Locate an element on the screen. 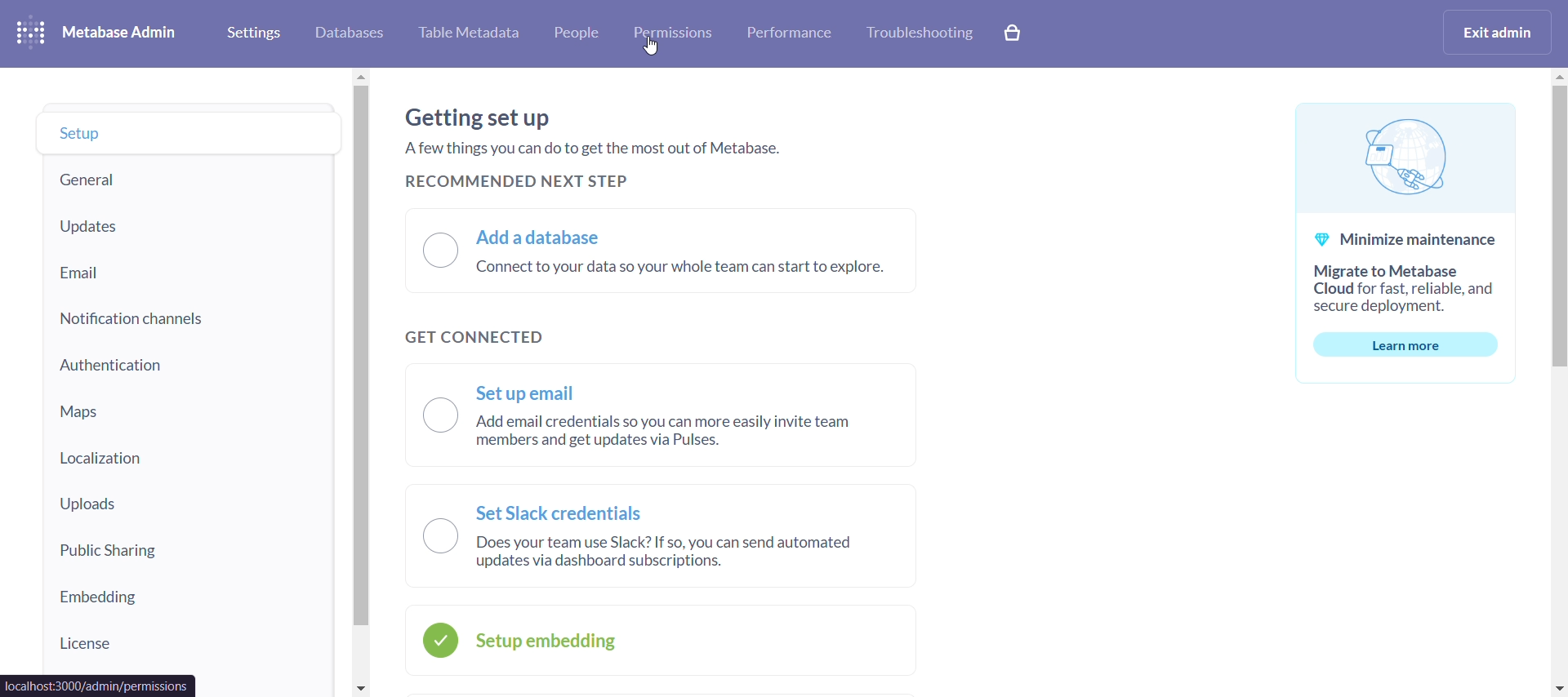 This screenshot has width=1568, height=697. settings is located at coordinates (257, 31).